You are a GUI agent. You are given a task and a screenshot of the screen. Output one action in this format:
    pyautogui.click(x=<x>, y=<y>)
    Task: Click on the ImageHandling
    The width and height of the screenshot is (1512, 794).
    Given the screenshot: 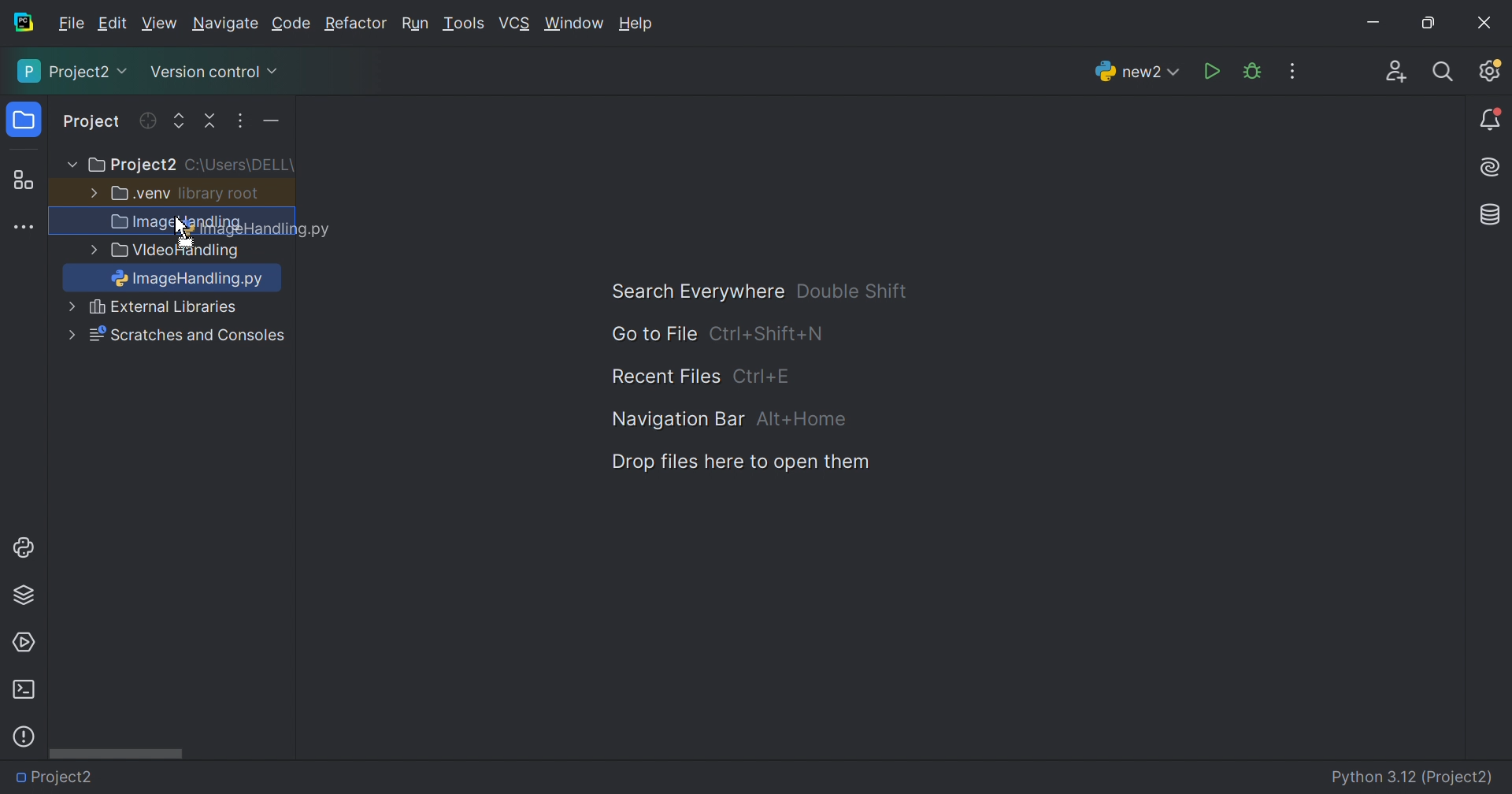 What is the action you would take?
    pyautogui.click(x=192, y=280)
    